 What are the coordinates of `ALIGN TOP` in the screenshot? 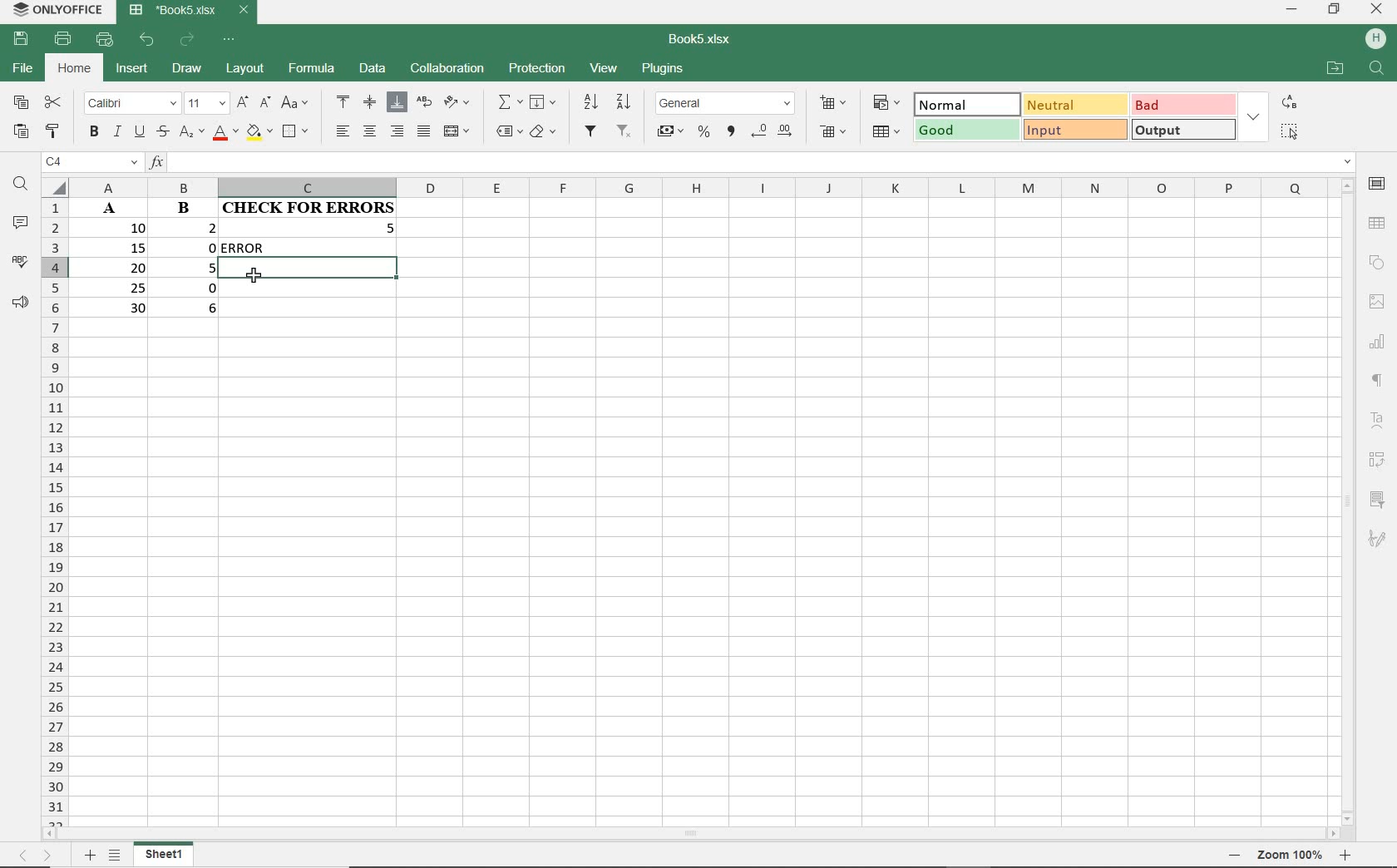 It's located at (343, 101).